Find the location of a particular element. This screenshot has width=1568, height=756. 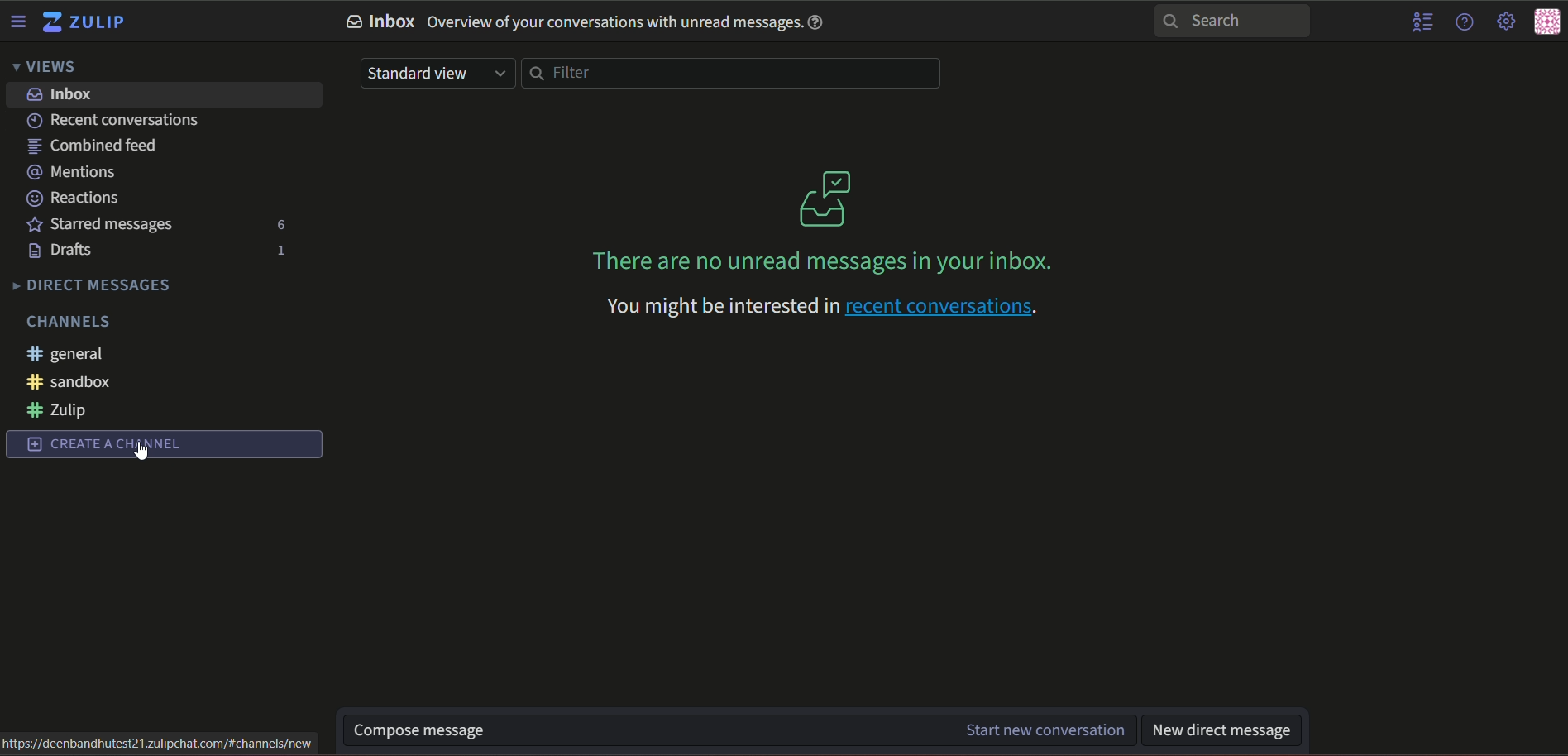

inbox is located at coordinates (62, 94).